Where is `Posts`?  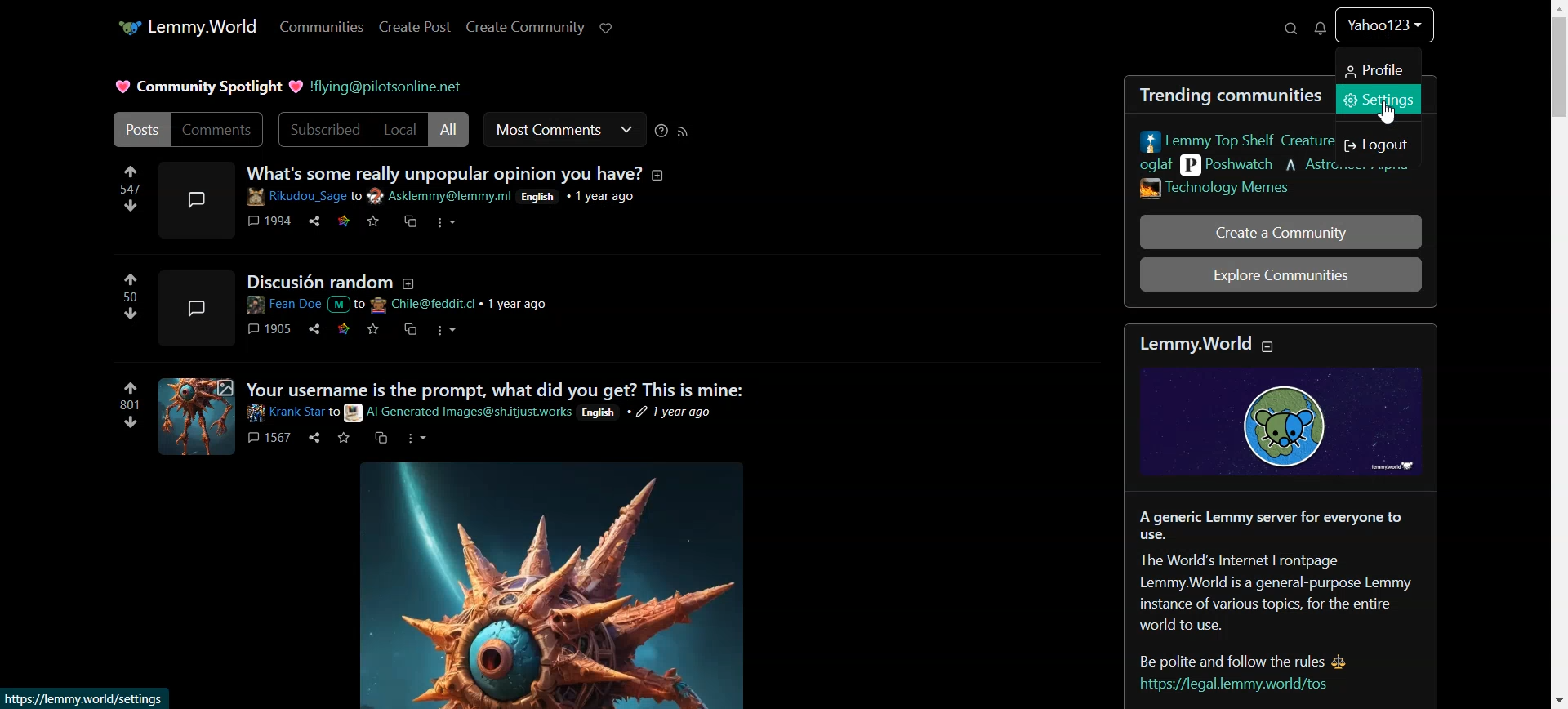
Posts is located at coordinates (139, 129).